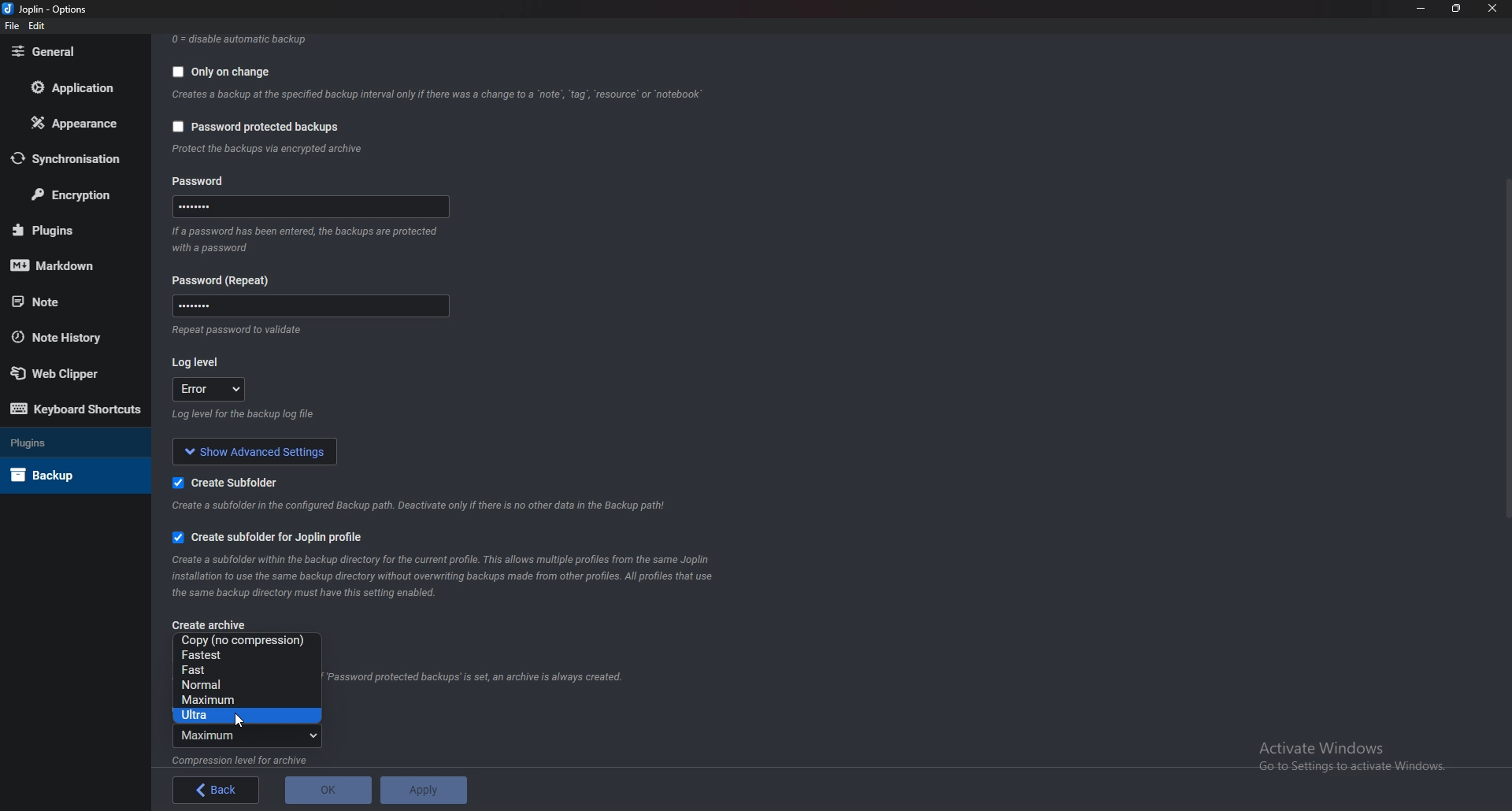 This screenshot has width=1512, height=811. I want to click on Back up, so click(69, 474).